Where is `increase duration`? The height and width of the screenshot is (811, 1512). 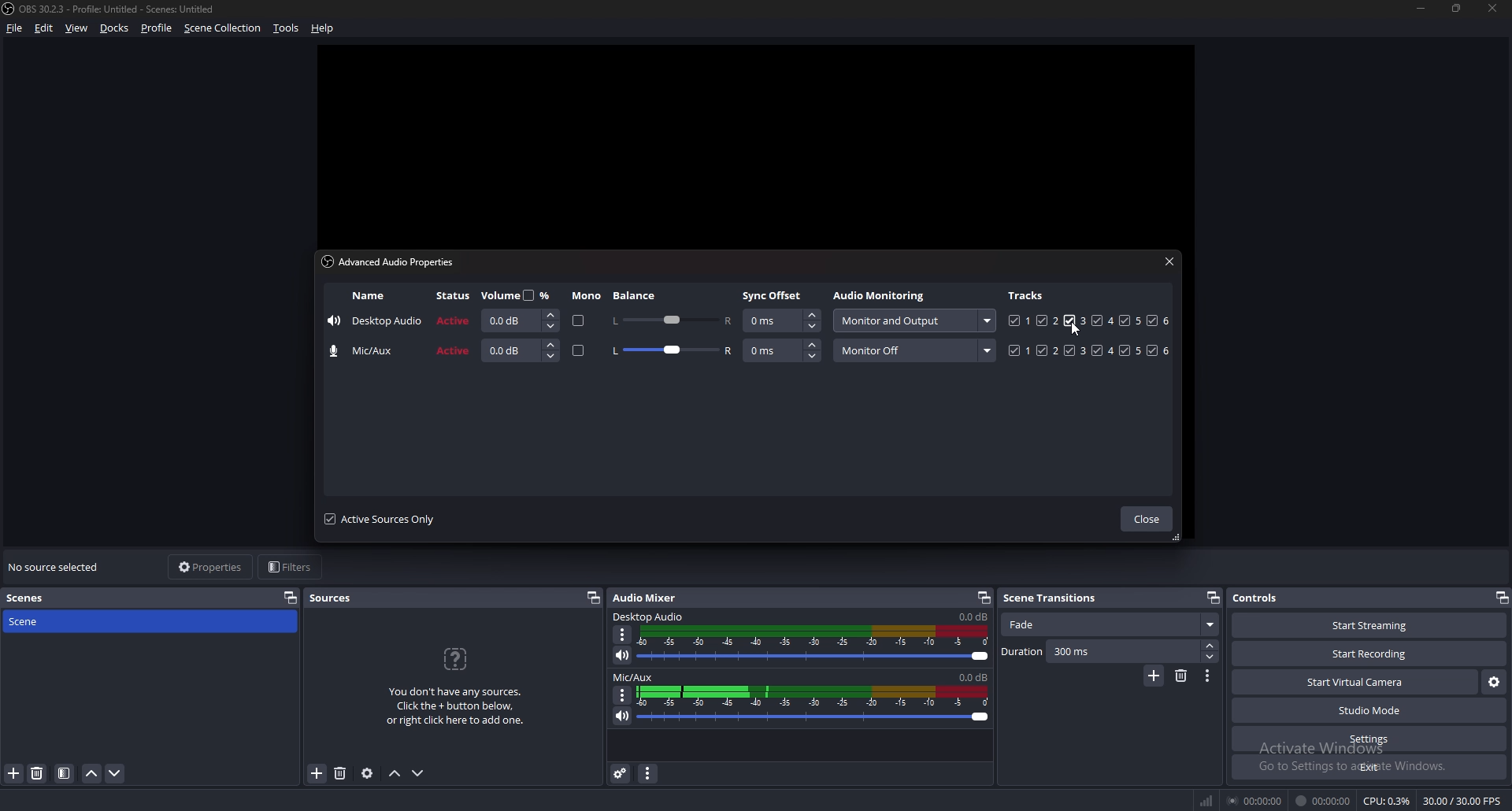 increase duration is located at coordinates (1210, 645).